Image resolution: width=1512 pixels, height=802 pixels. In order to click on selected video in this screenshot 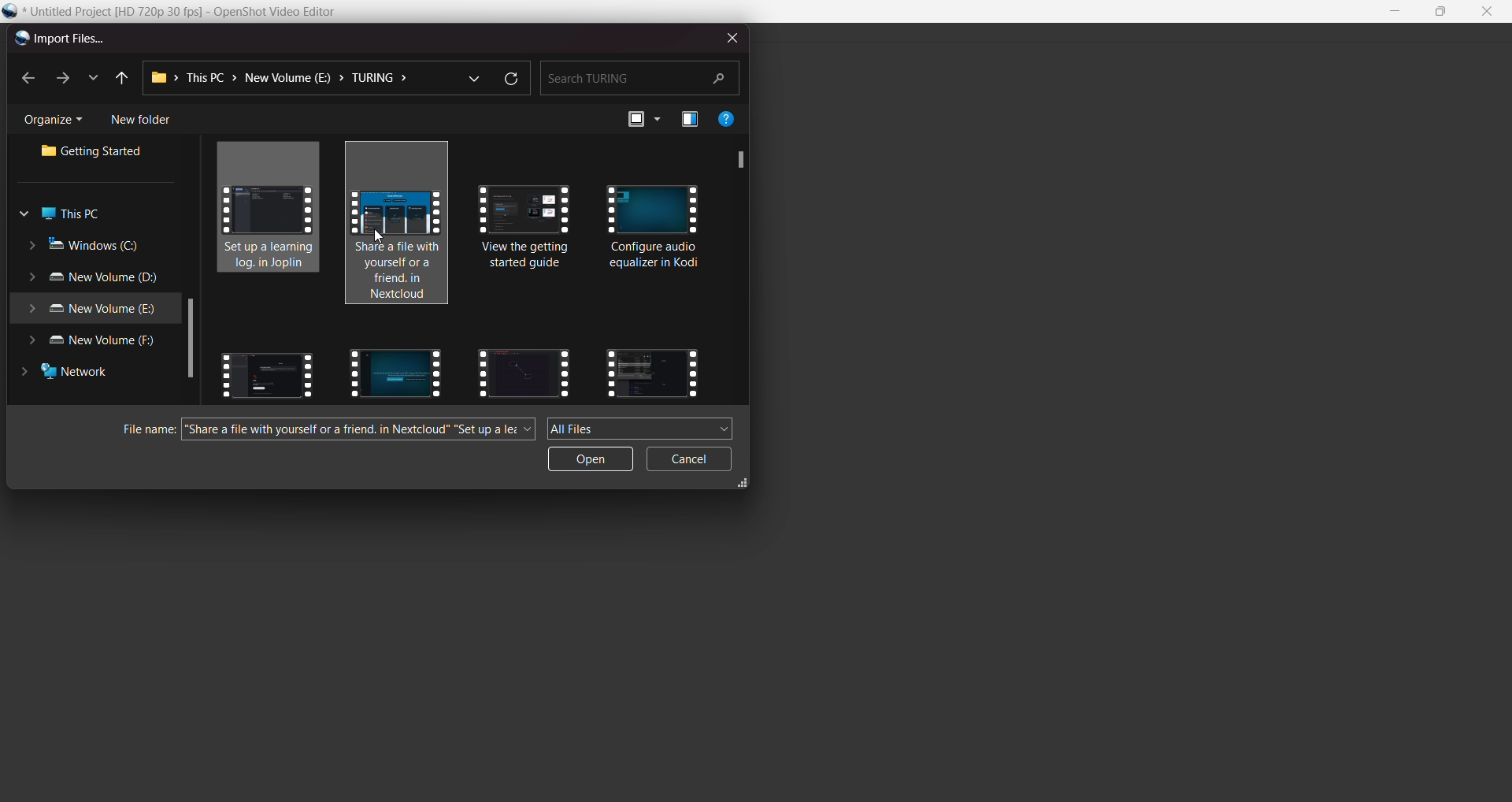, I will do `click(274, 210)`.